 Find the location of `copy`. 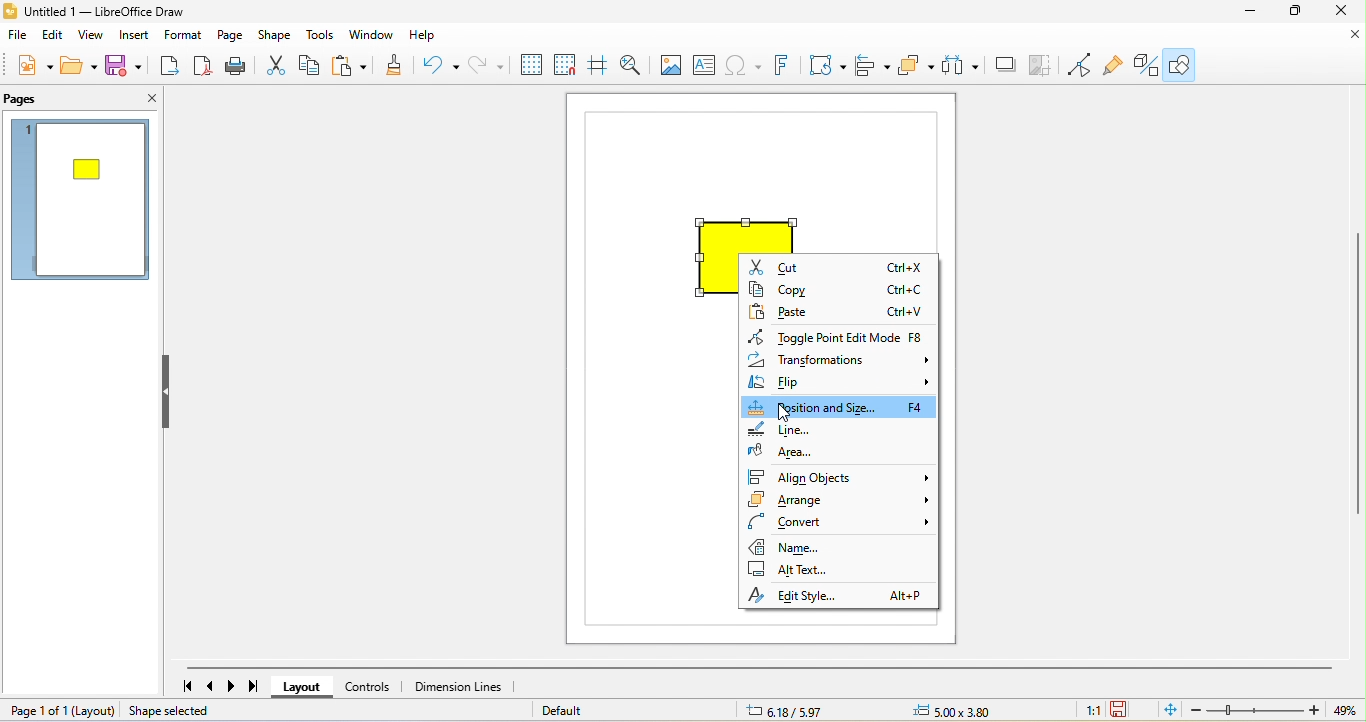

copy is located at coordinates (840, 291).